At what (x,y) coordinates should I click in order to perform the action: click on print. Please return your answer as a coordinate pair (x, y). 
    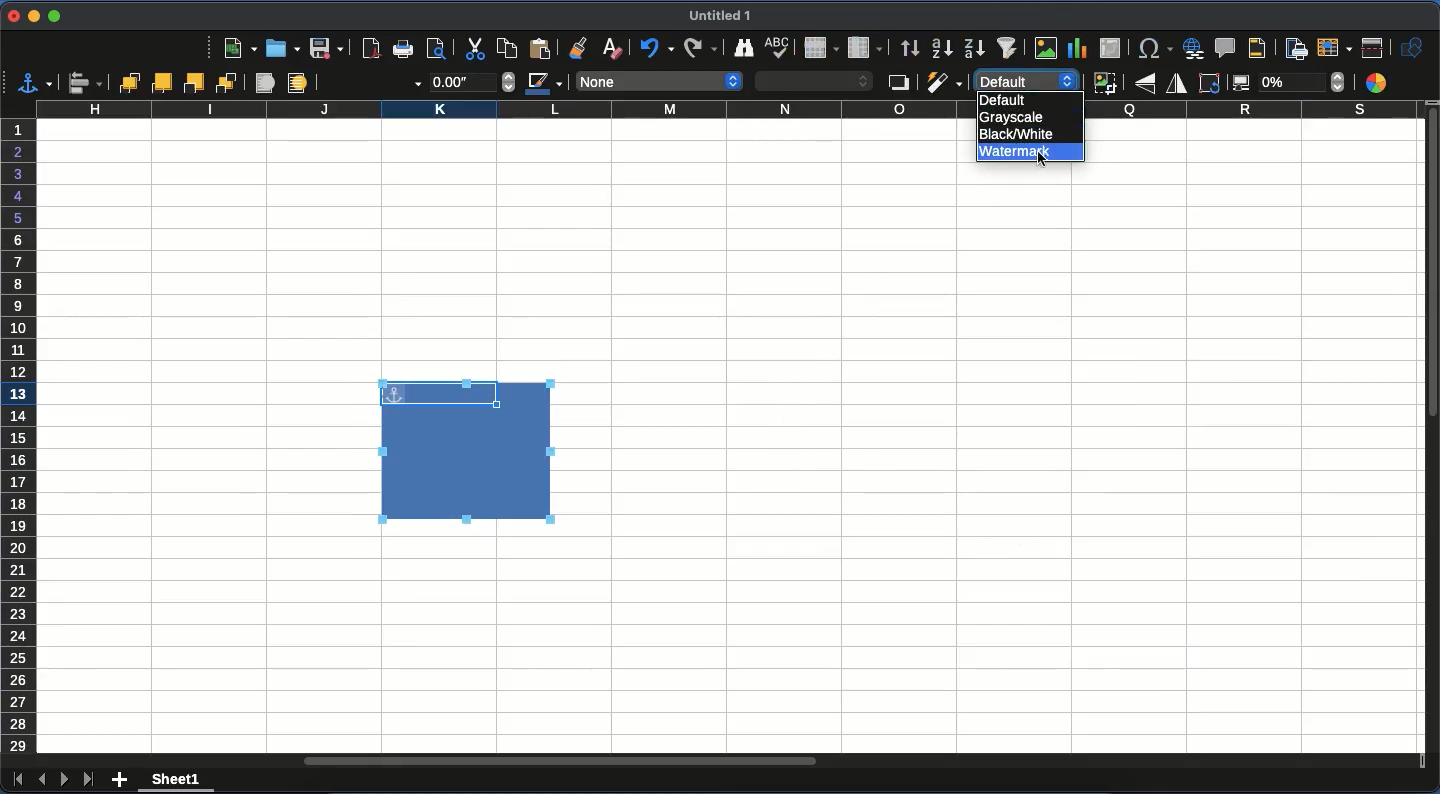
    Looking at the image, I should click on (402, 48).